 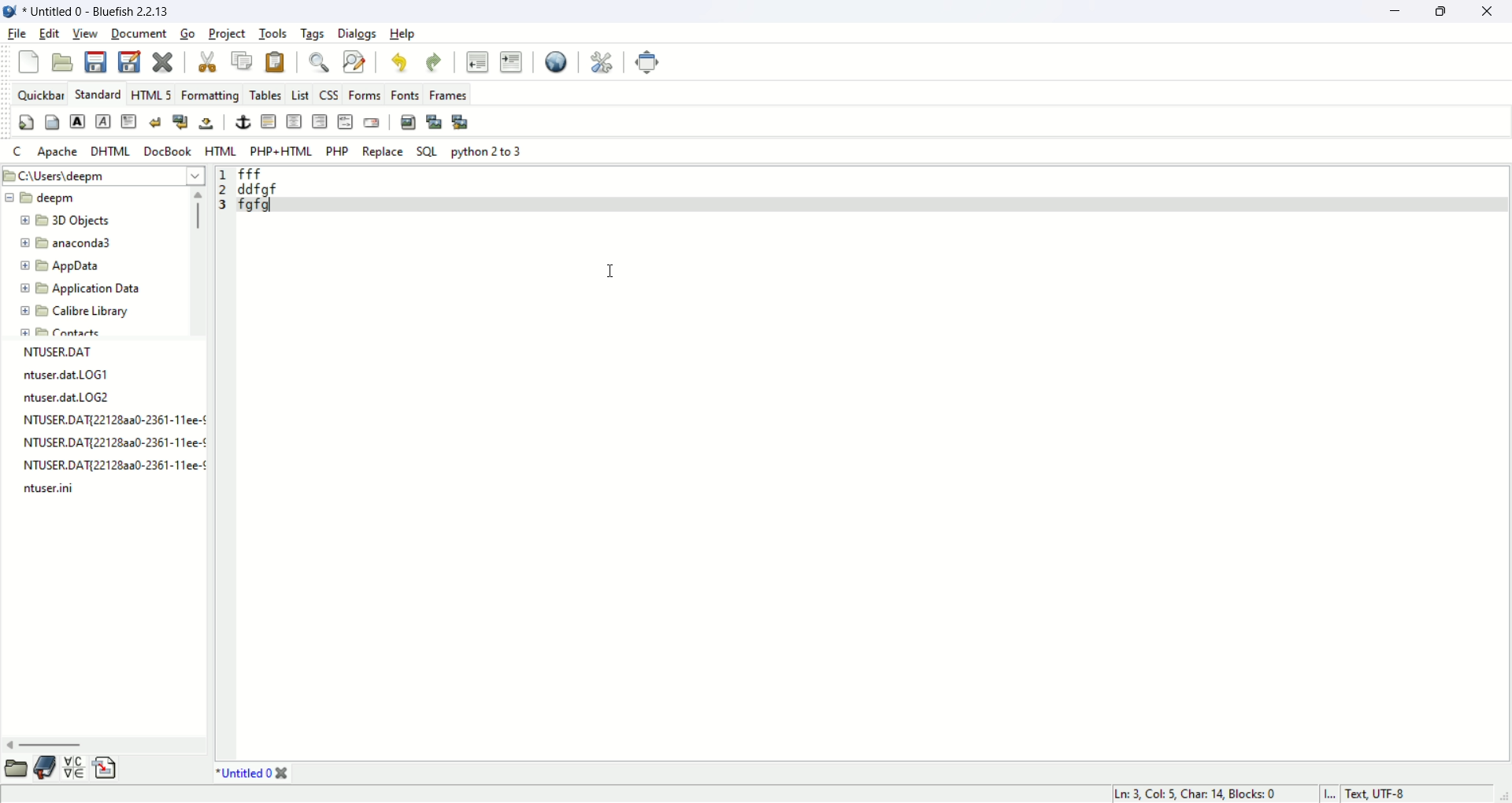 What do you see at coordinates (512, 60) in the screenshot?
I see `indent` at bounding box center [512, 60].